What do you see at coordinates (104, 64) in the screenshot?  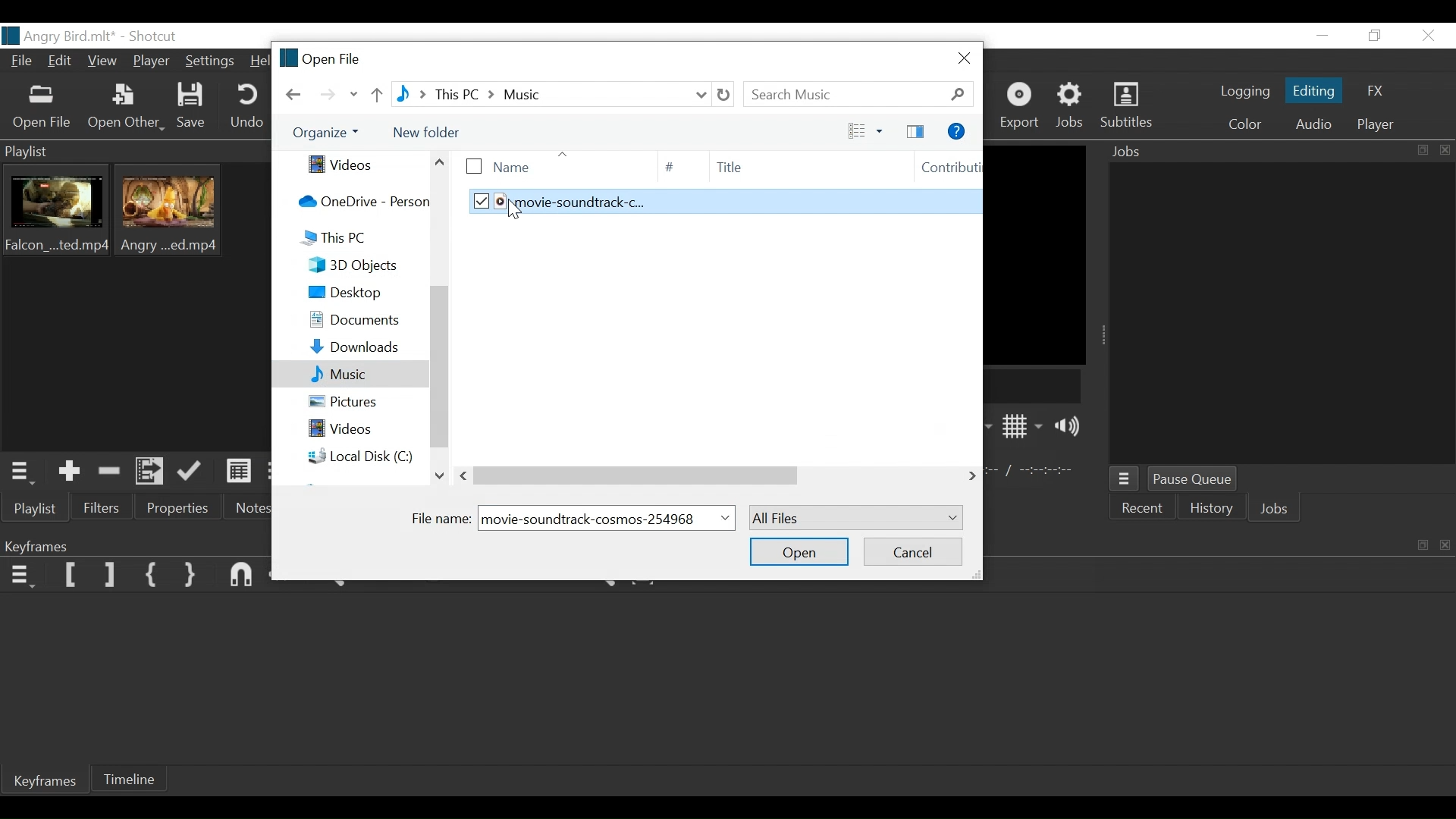 I see `View` at bounding box center [104, 64].